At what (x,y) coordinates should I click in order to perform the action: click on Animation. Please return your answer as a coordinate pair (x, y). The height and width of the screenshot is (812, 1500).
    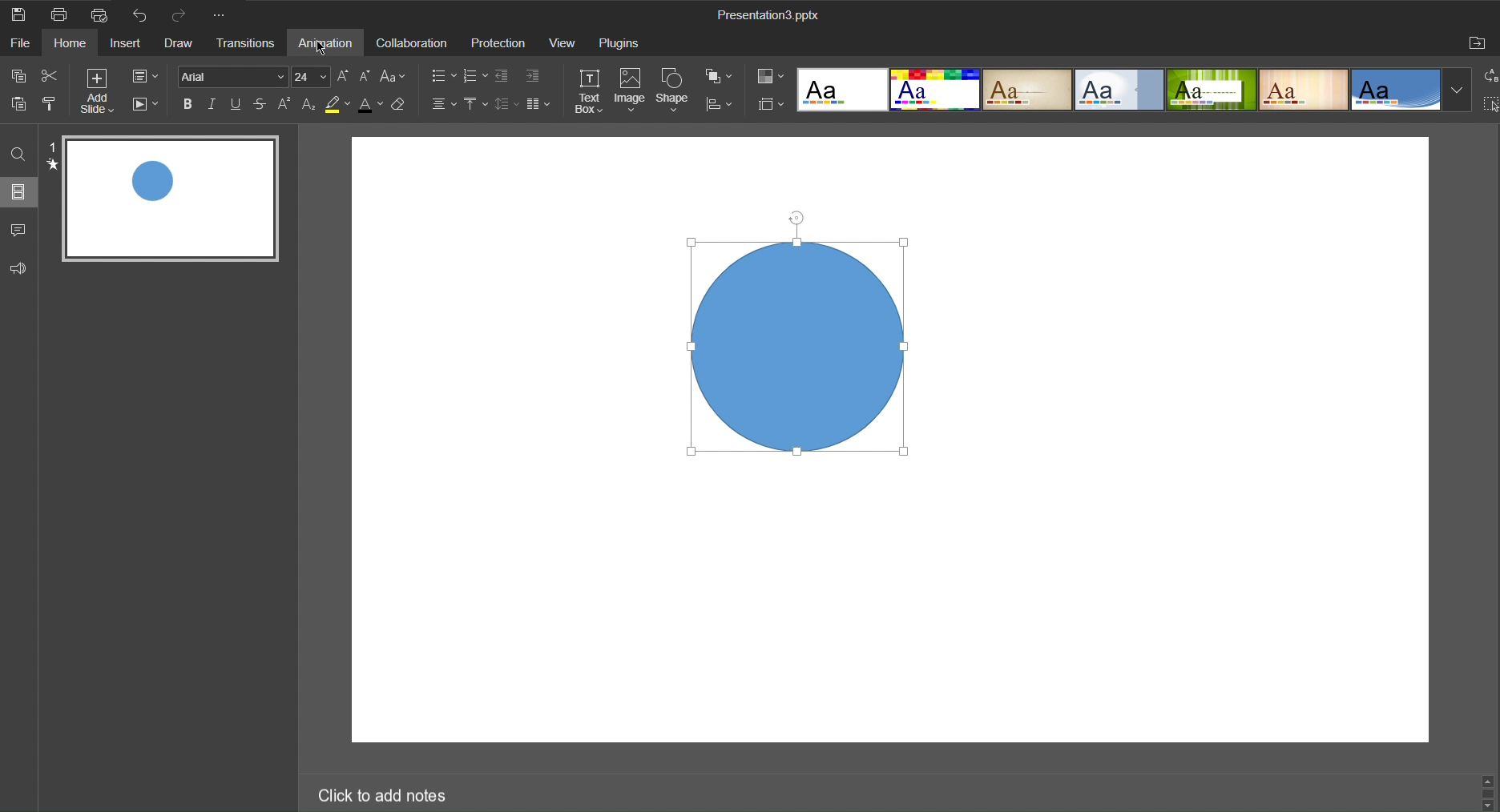
    Looking at the image, I should click on (329, 44).